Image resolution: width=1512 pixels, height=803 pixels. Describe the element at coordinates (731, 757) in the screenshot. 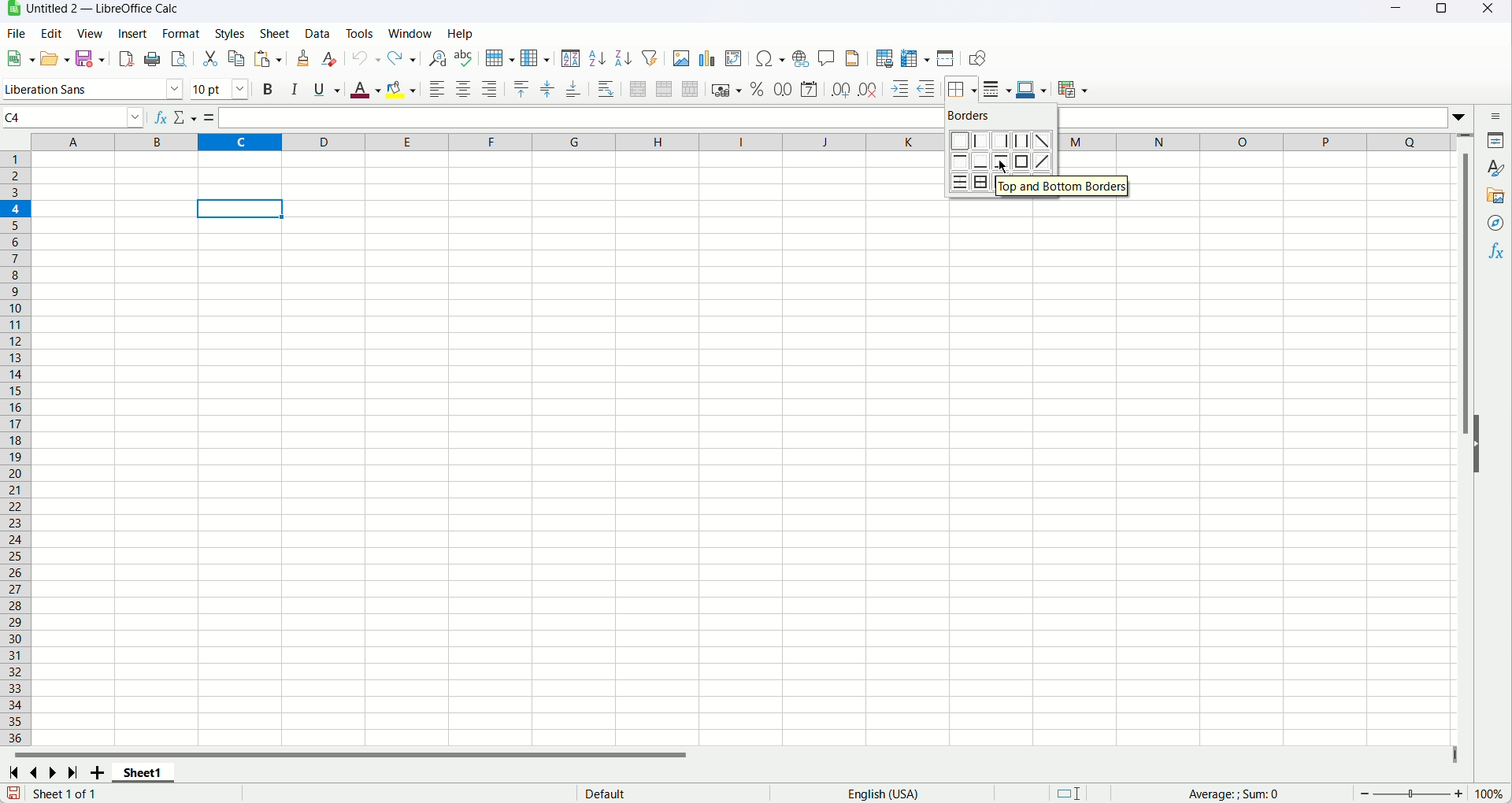

I see `Horizontal scroll bar` at that location.